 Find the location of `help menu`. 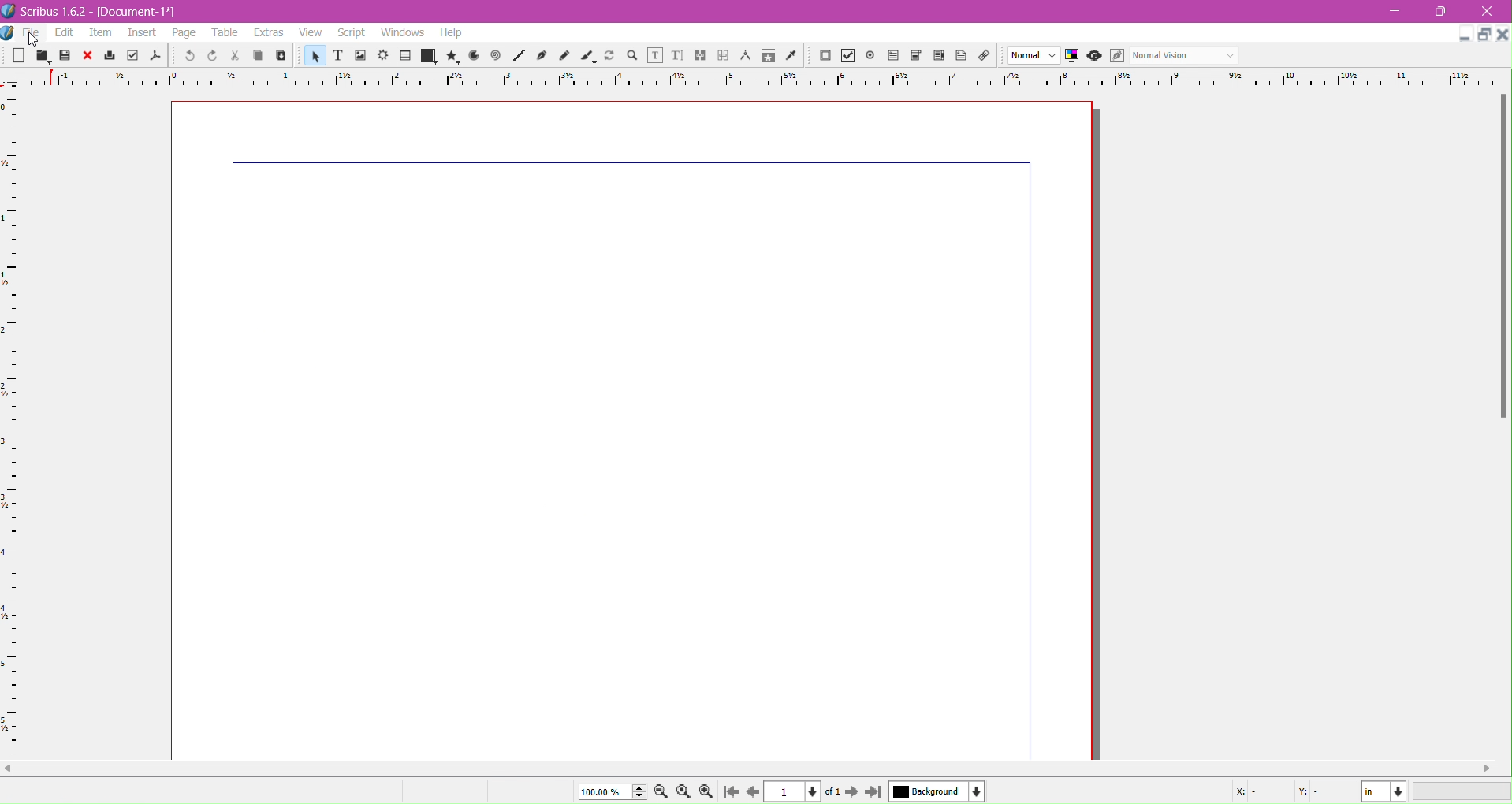

help menu is located at coordinates (451, 33).